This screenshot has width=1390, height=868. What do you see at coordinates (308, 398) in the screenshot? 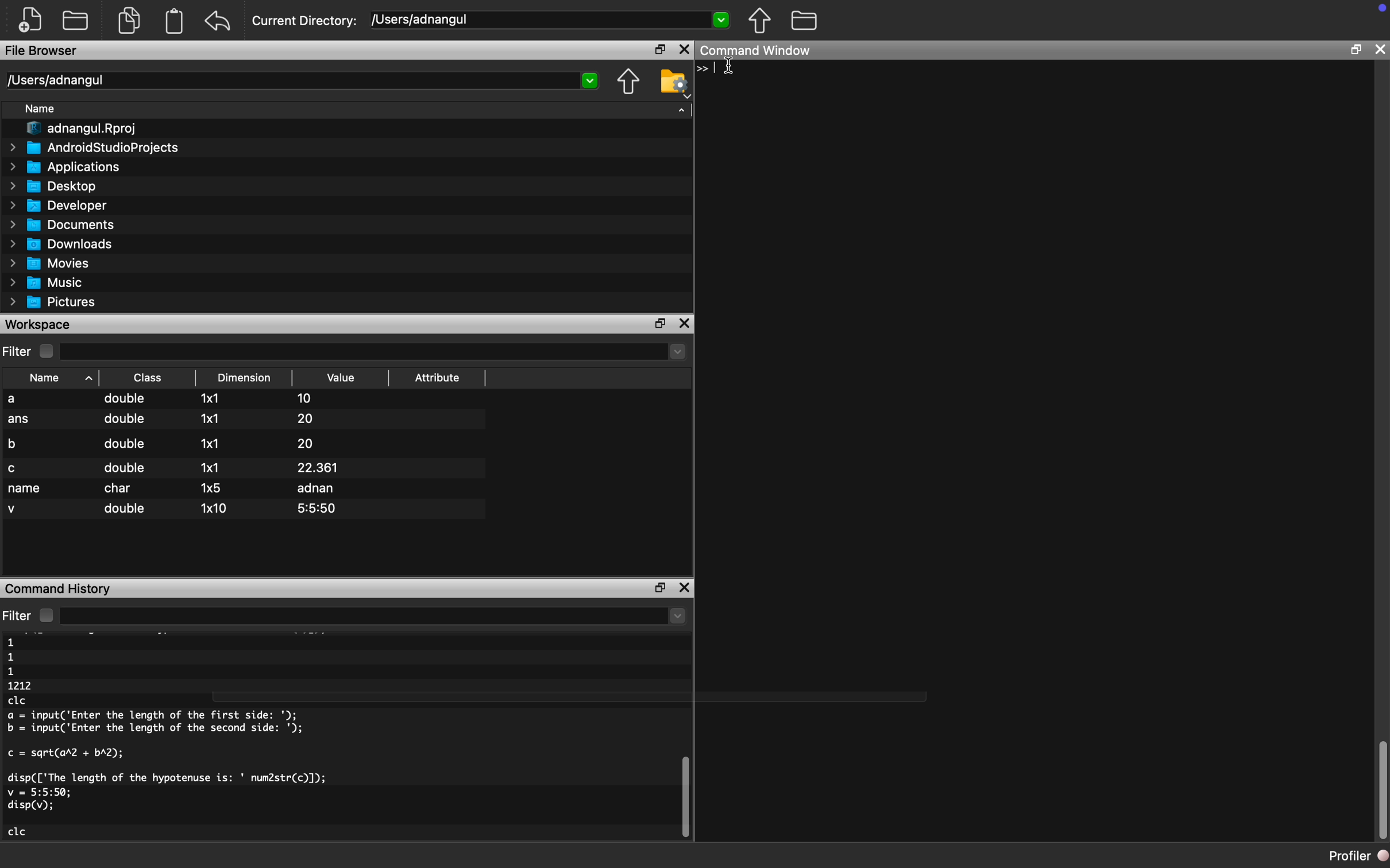
I see `10` at bounding box center [308, 398].